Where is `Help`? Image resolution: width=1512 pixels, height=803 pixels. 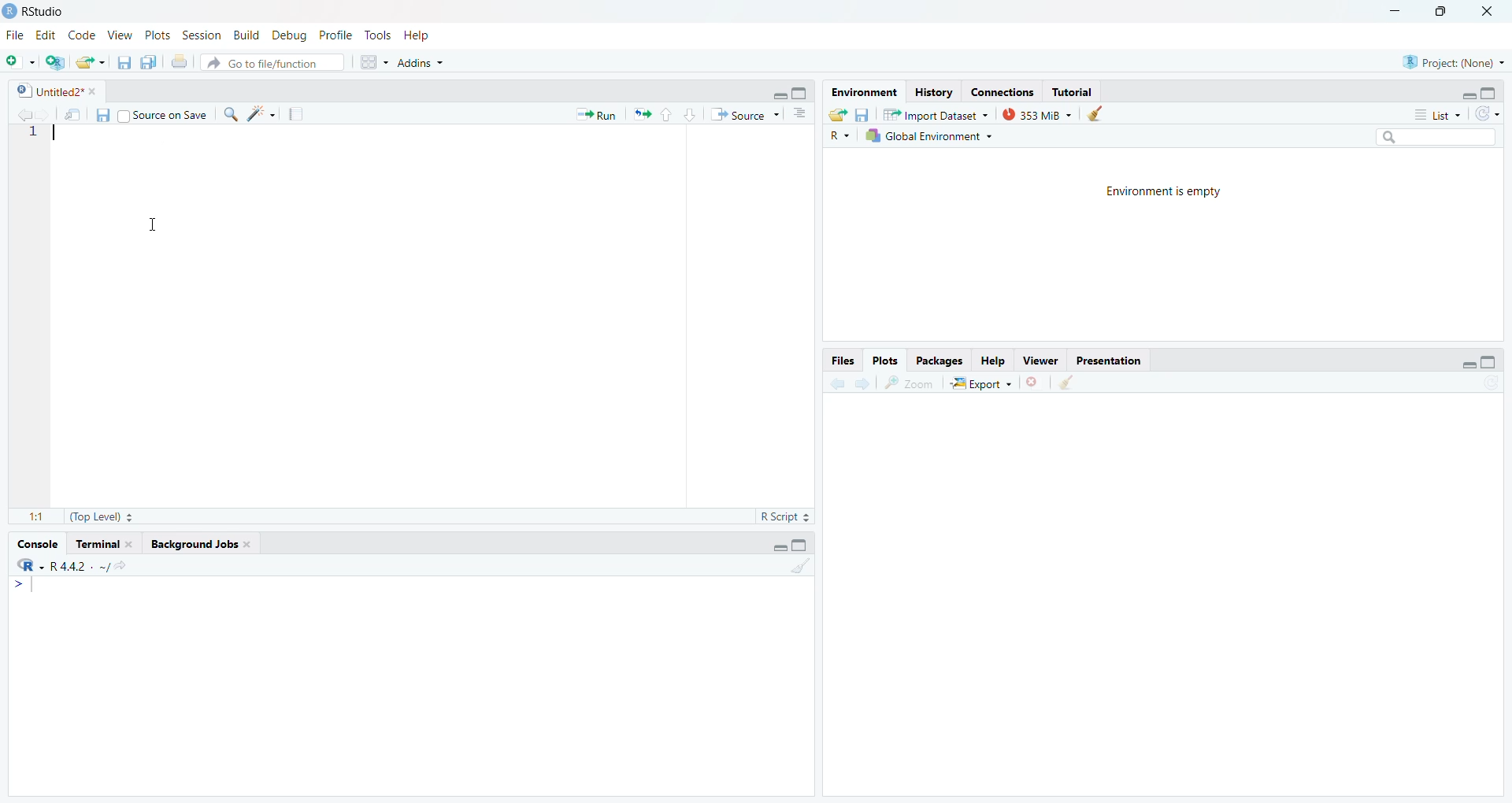 Help is located at coordinates (418, 36).